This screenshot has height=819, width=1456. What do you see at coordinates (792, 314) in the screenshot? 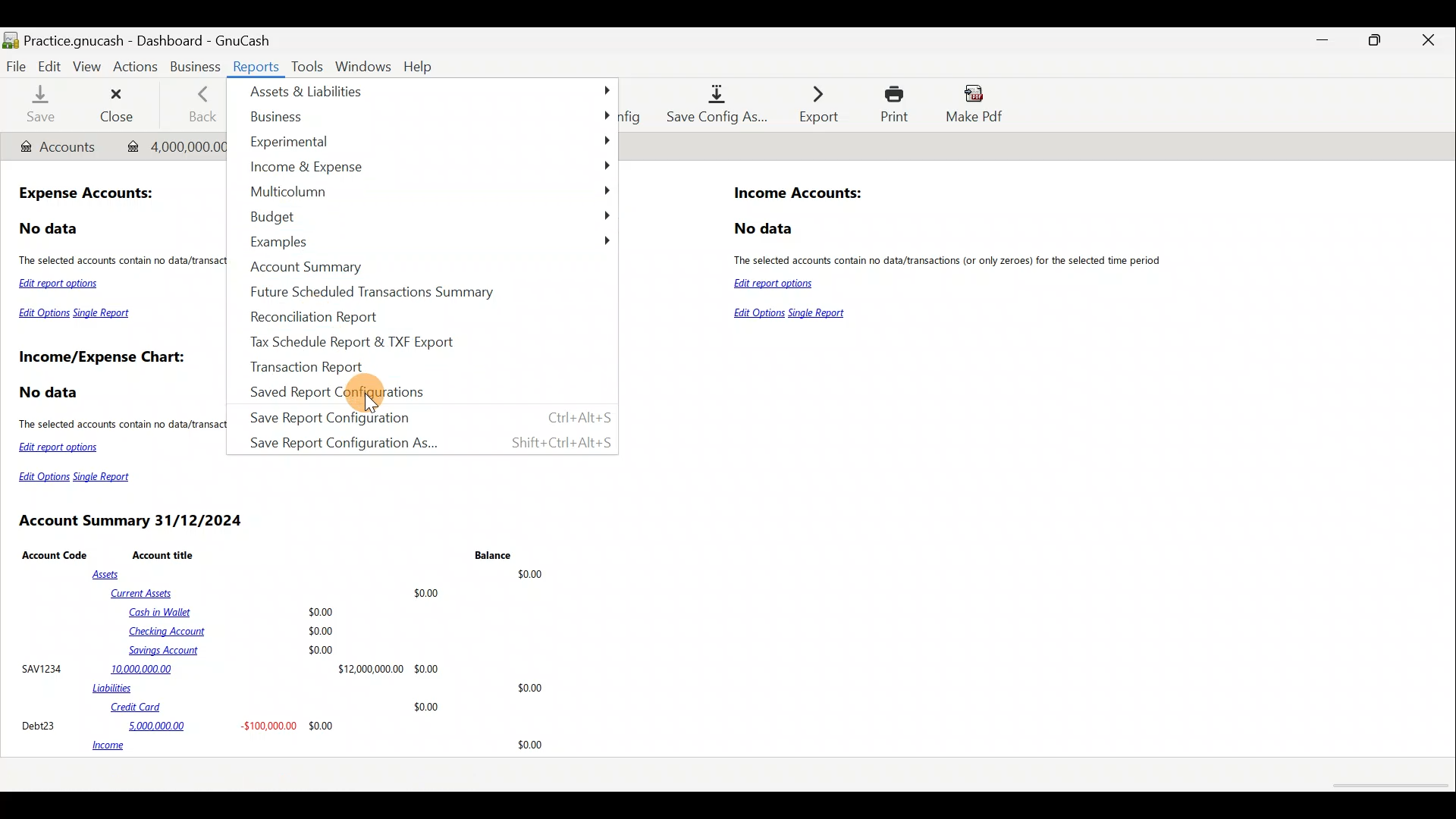
I see `Edit Options Single Report` at bounding box center [792, 314].